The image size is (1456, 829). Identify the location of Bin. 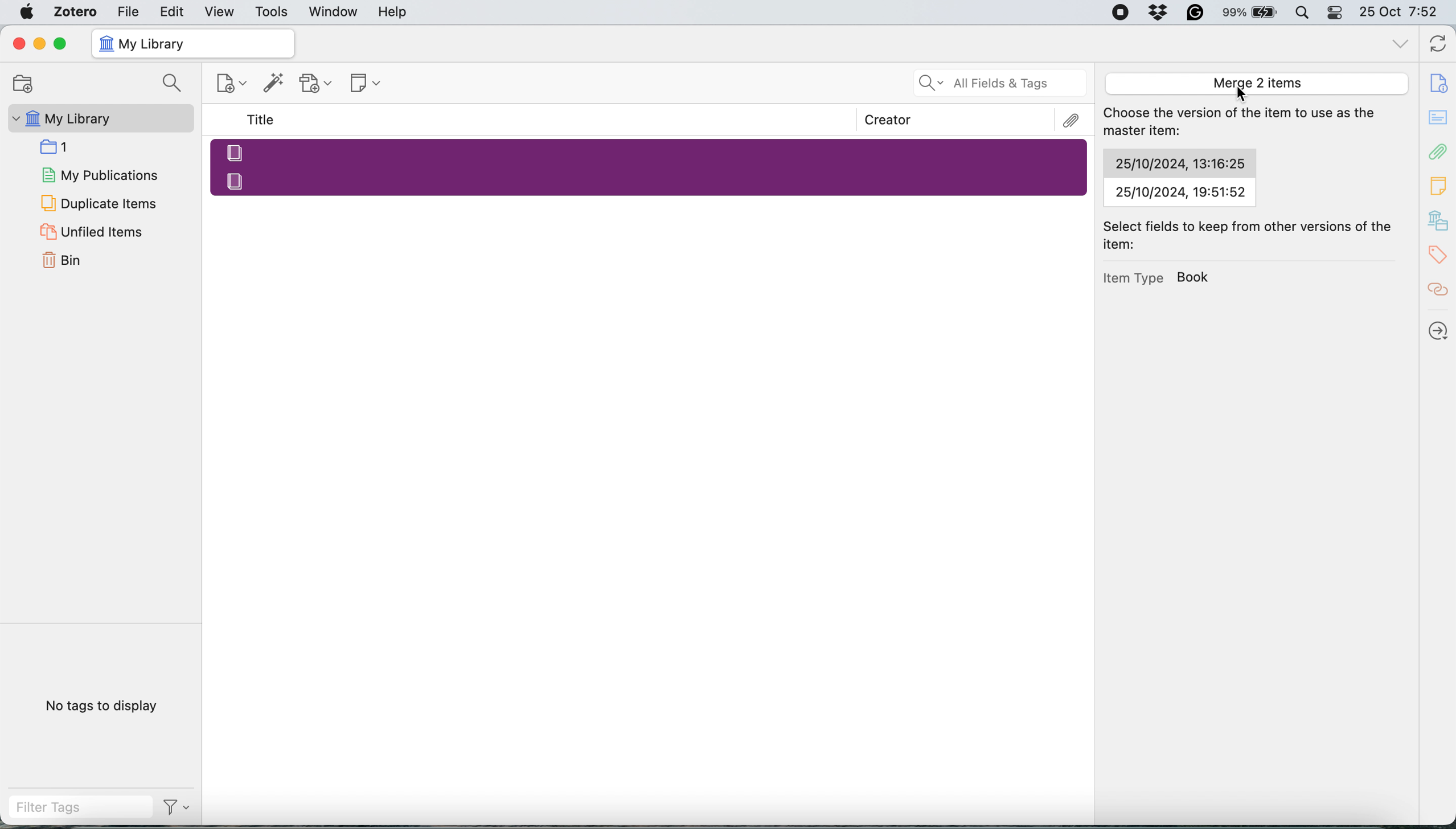
(76, 258).